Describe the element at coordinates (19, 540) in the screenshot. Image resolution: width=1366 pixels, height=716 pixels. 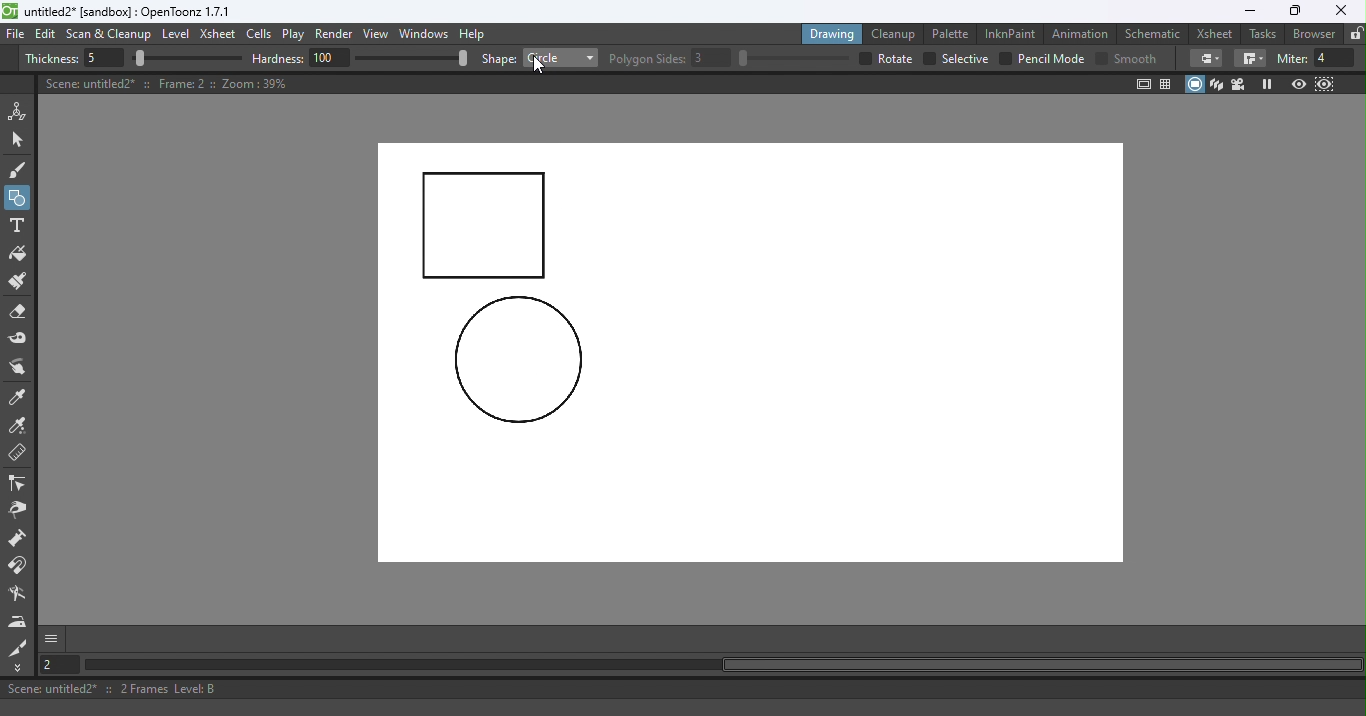
I see `Magnet tool` at that location.